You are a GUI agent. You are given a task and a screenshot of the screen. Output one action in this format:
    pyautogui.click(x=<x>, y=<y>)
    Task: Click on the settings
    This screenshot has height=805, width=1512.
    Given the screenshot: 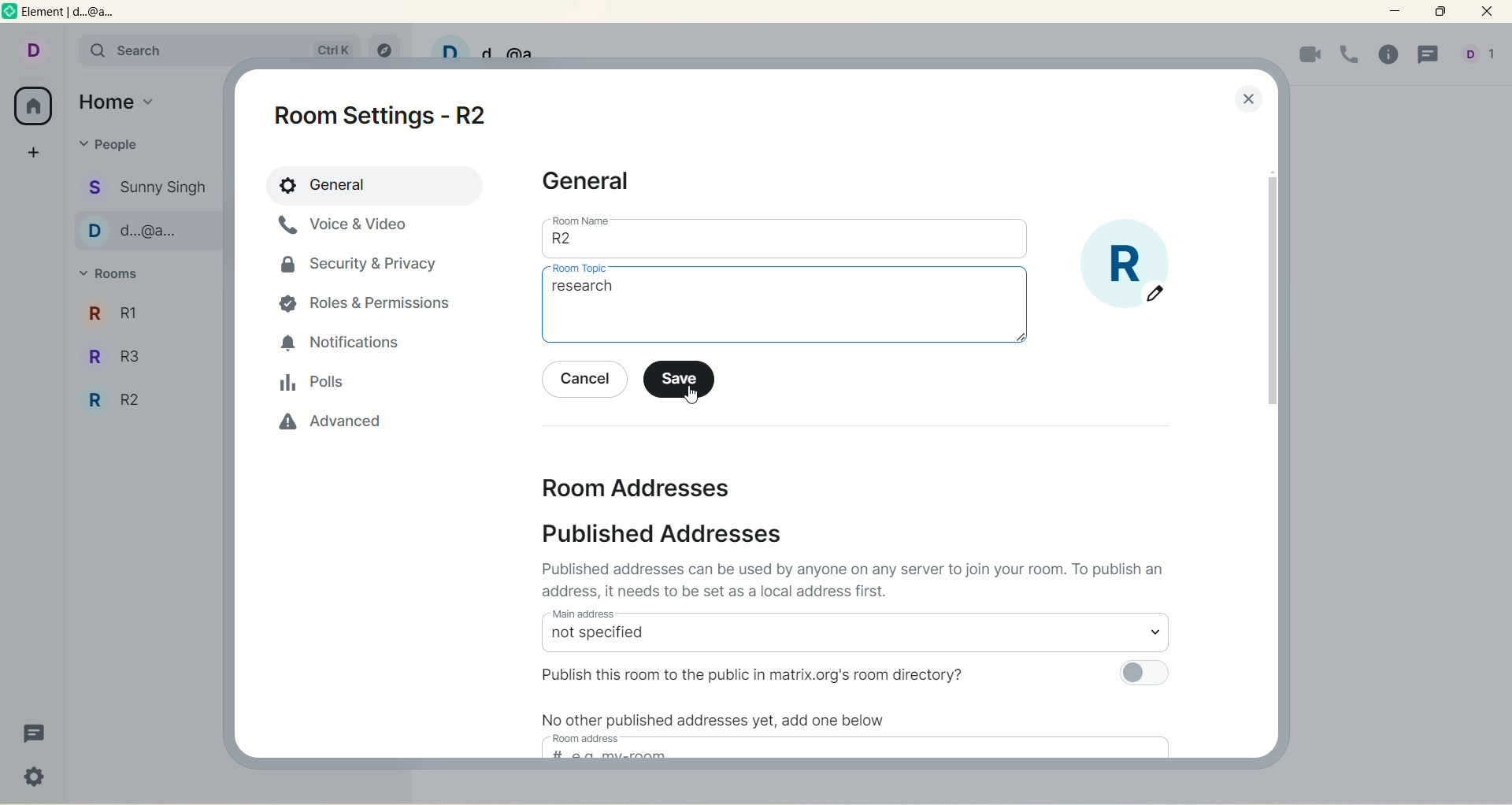 What is the action you would take?
    pyautogui.click(x=35, y=779)
    